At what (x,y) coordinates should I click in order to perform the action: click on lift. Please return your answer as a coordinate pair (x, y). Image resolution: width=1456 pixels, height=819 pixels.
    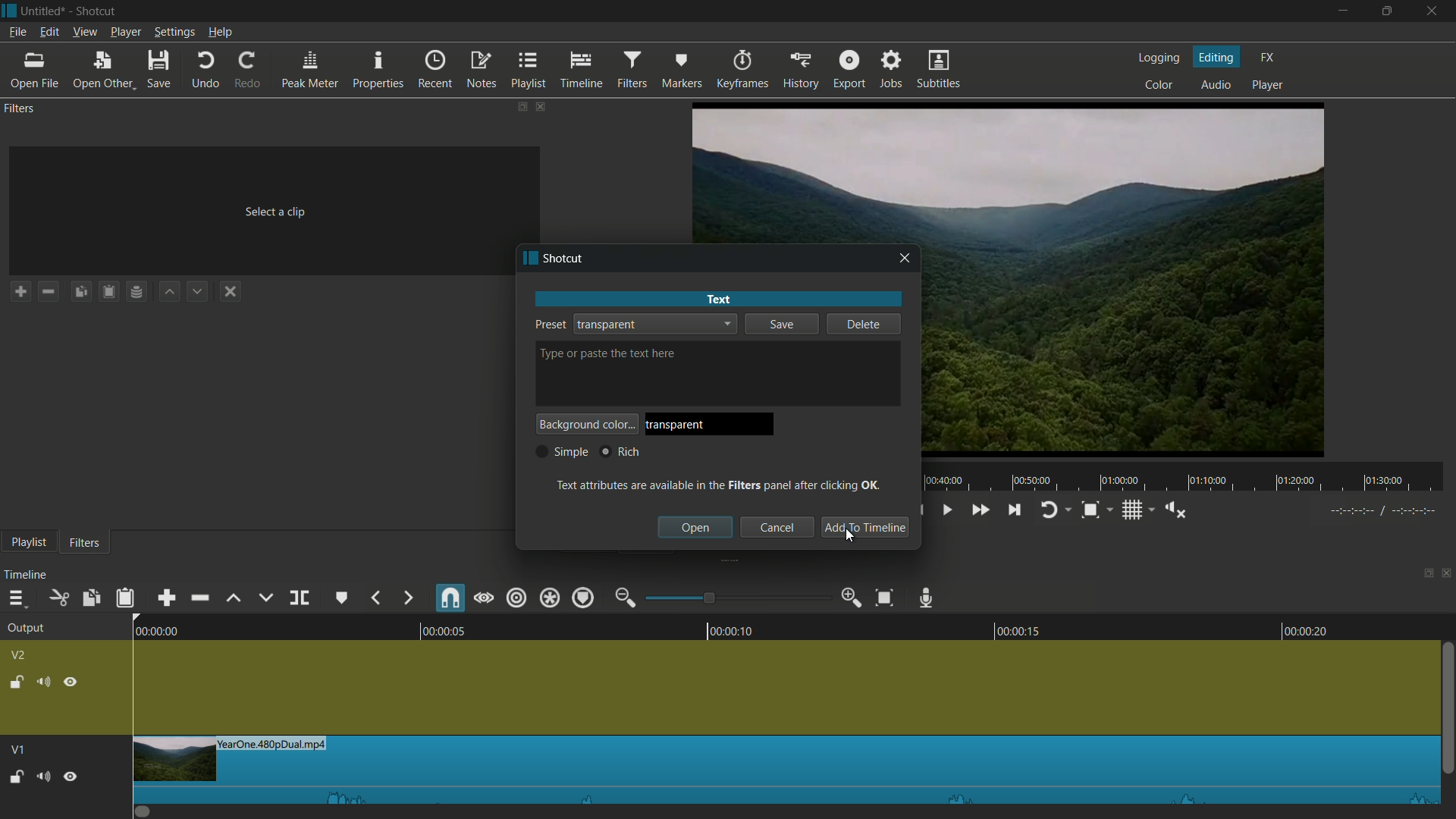
    Looking at the image, I should click on (234, 597).